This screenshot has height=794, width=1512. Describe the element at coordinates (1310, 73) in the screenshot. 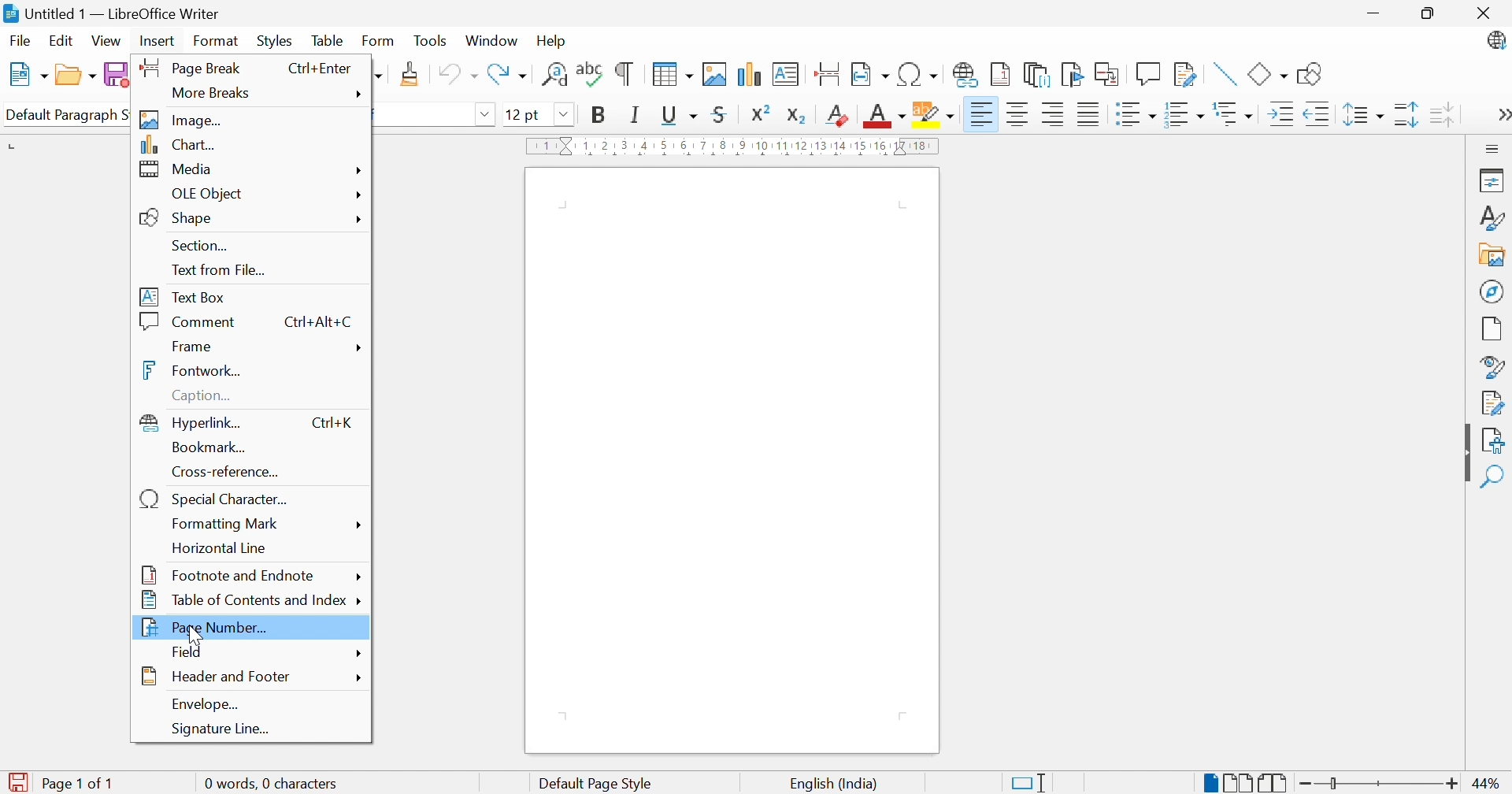

I see `Show draw functions` at that location.